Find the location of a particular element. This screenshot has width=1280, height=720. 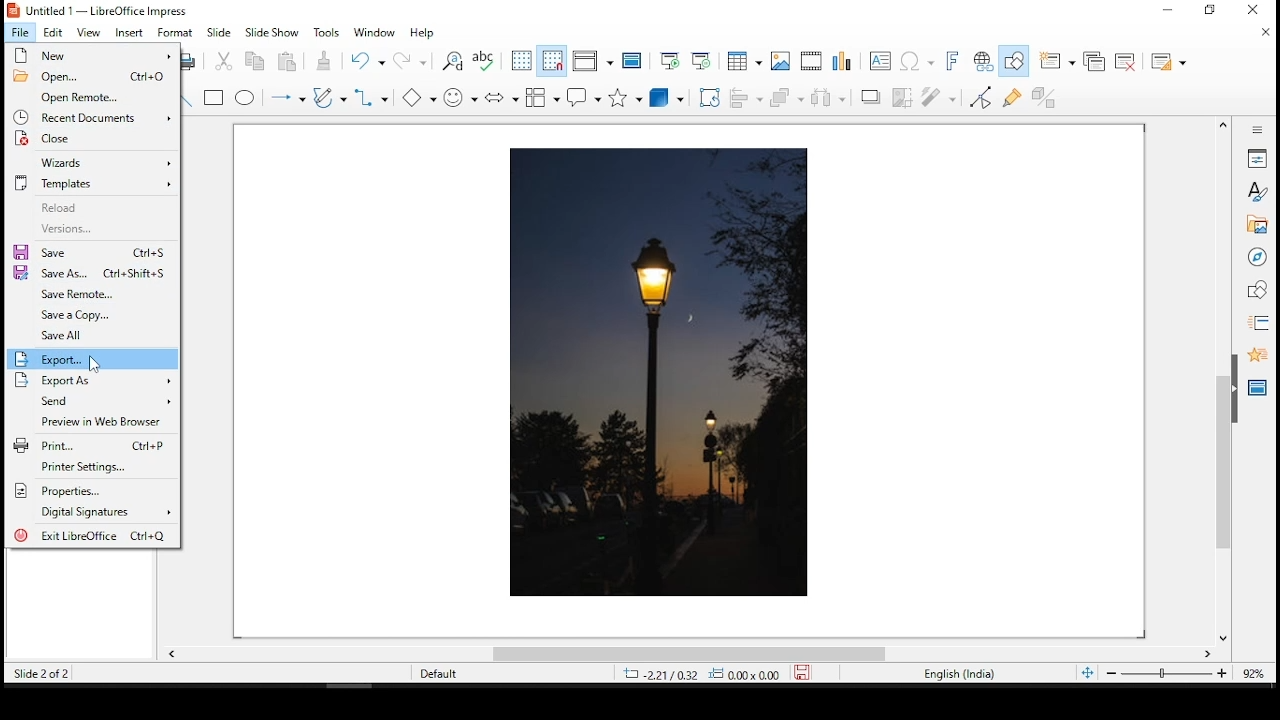

view is located at coordinates (89, 33).